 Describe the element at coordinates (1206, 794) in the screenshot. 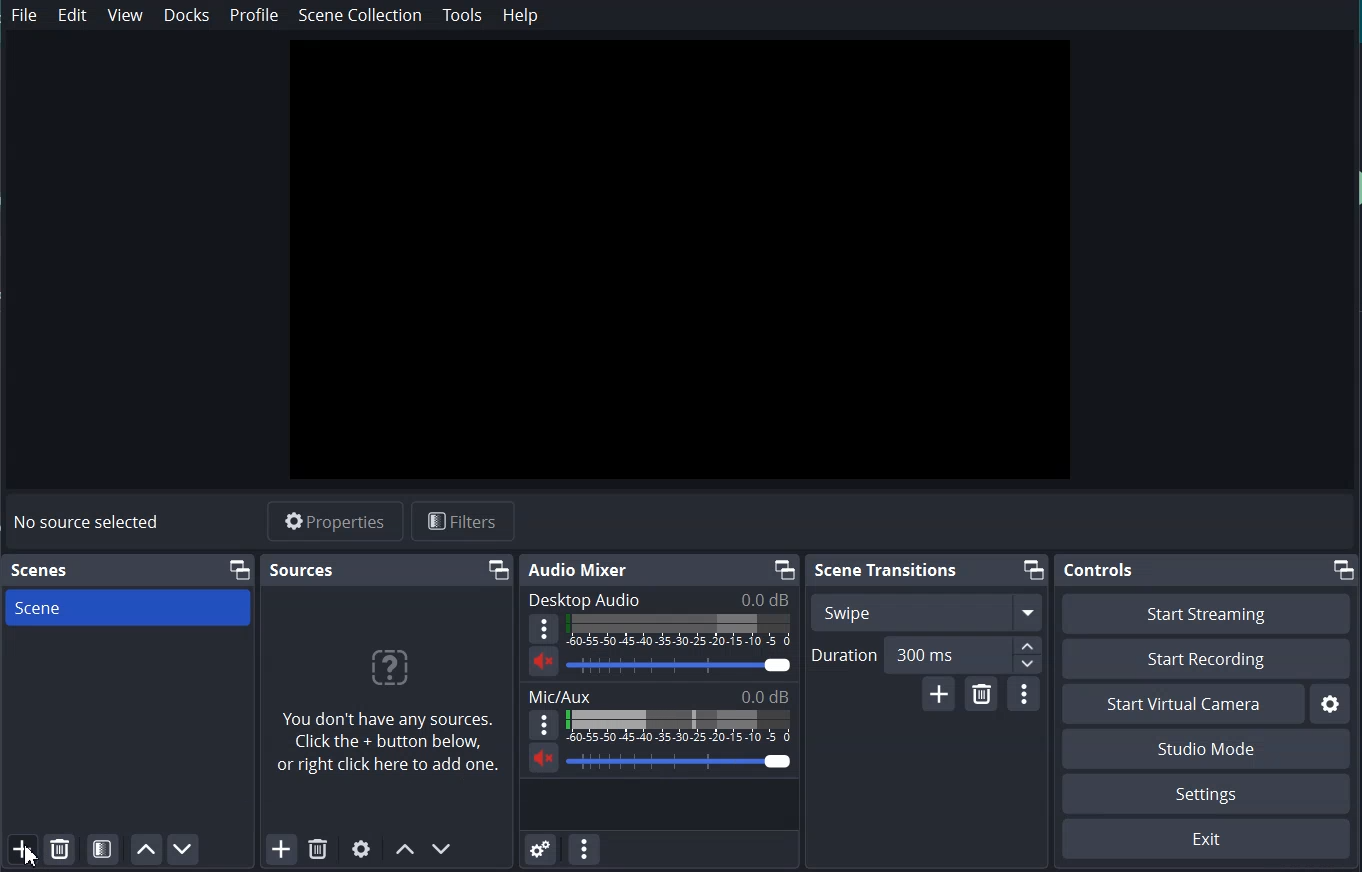

I see `Settings` at that location.